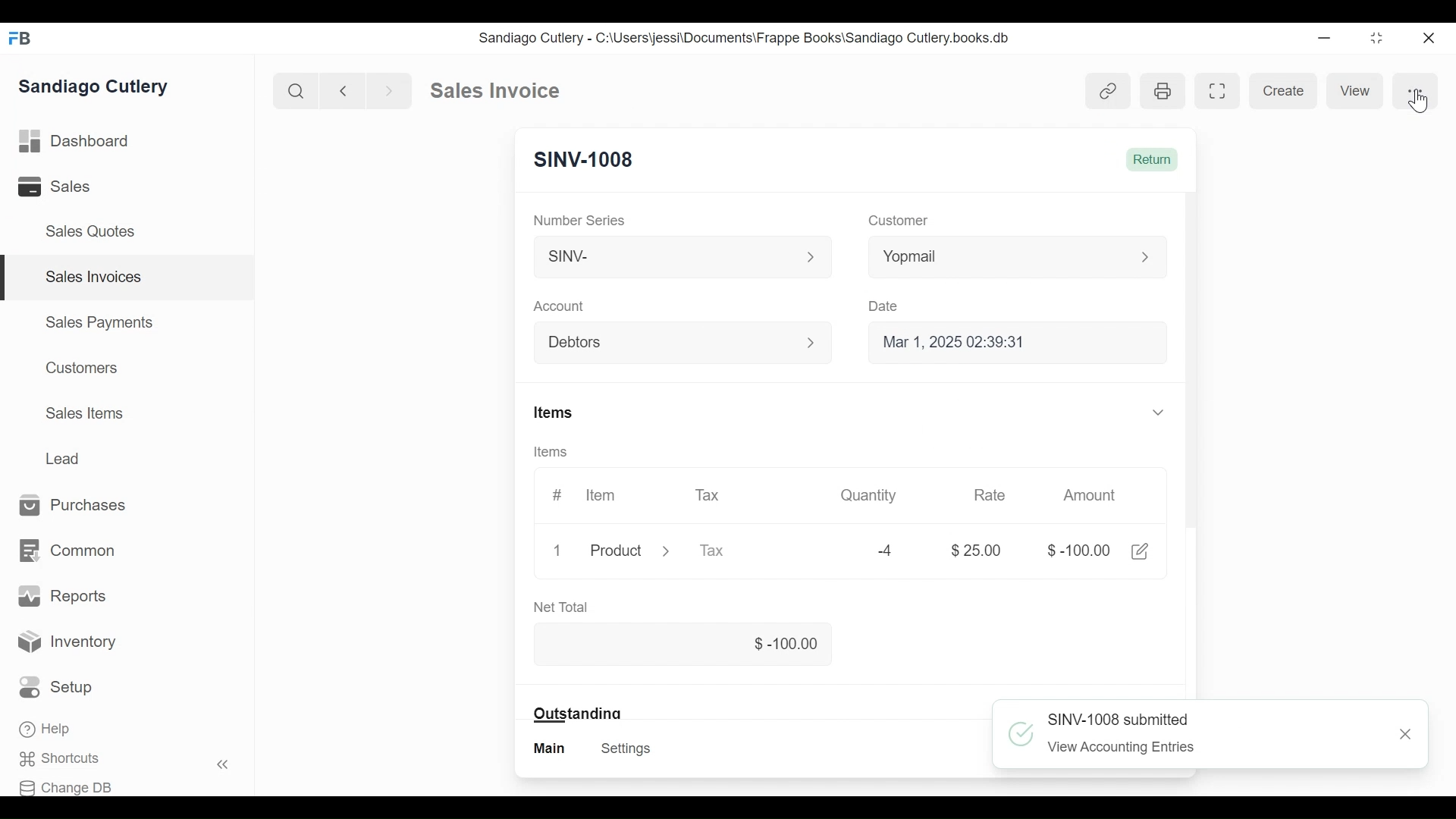 This screenshot has height=819, width=1456. I want to click on Inventory, so click(65, 639).